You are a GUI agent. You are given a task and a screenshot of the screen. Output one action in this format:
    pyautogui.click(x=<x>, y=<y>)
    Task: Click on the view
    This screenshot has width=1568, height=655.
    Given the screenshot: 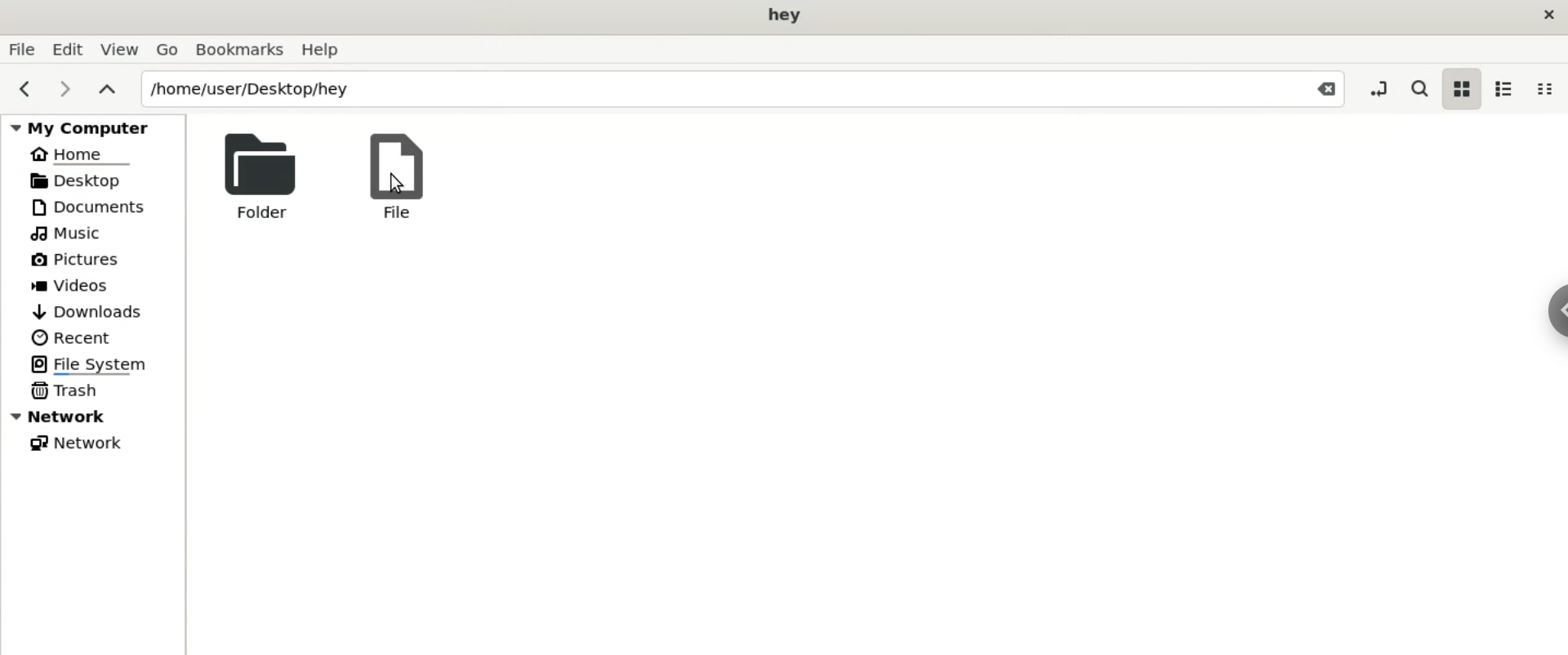 What is the action you would take?
    pyautogui.click(x=118, y=49)
    